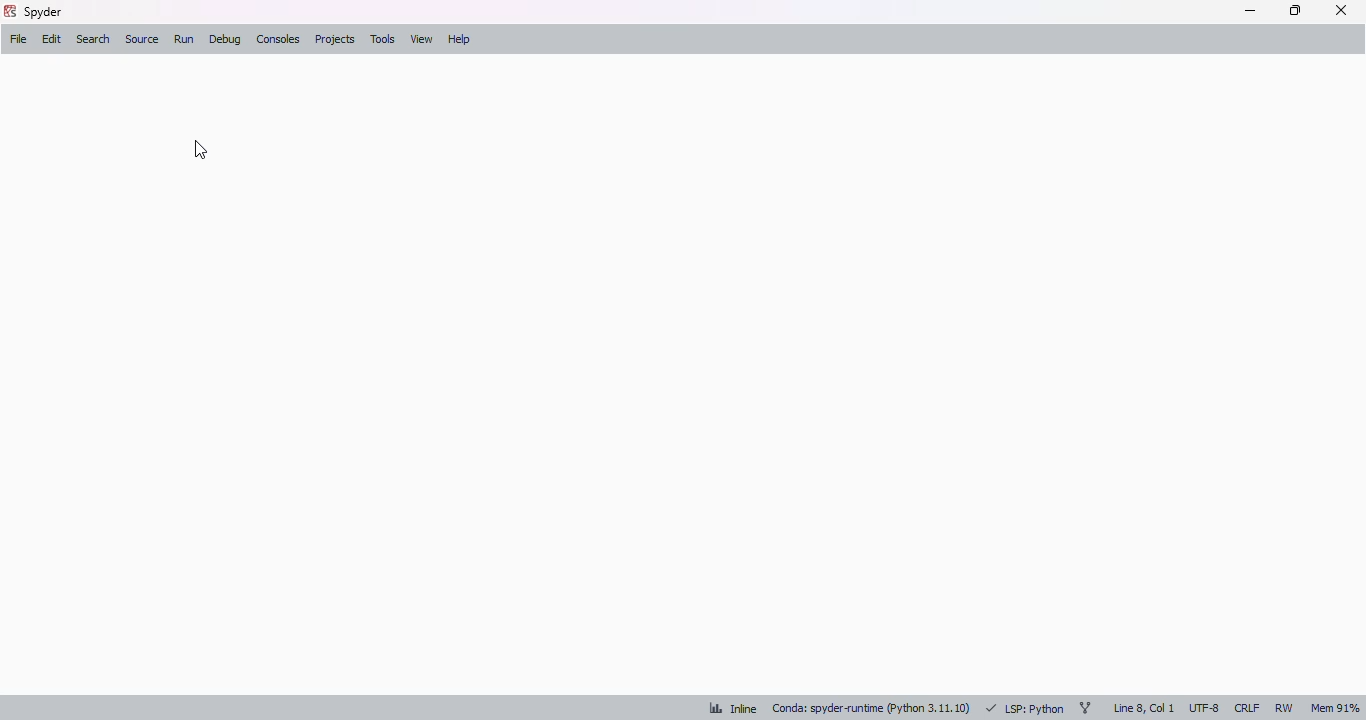 Image resolution: width=1366 pixels, height=720 pixels. I want to click on projects, so click(334, 39).